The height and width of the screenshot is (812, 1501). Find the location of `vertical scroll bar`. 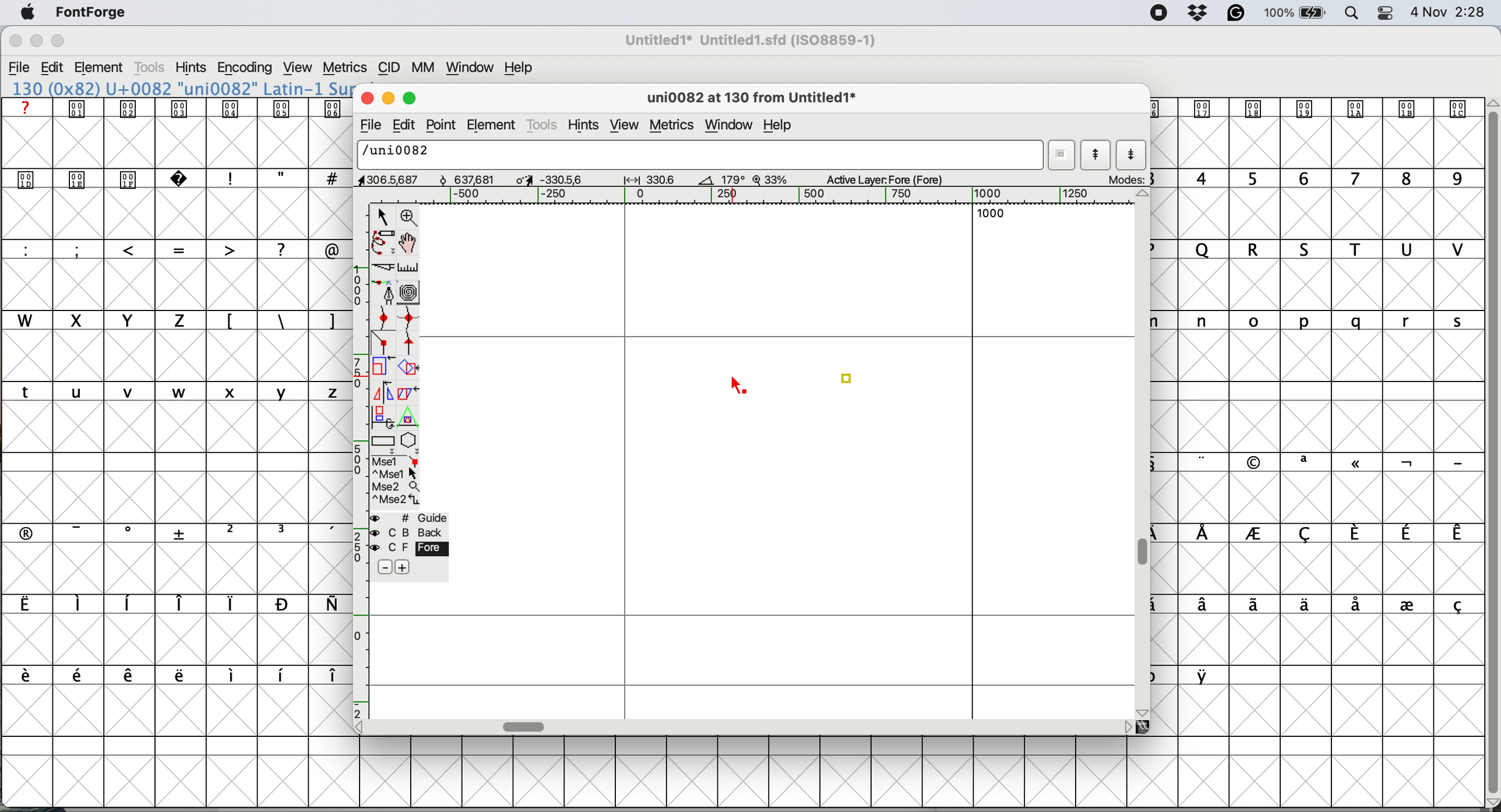

vertical scroll bar is located at coordinates (1146, 553).